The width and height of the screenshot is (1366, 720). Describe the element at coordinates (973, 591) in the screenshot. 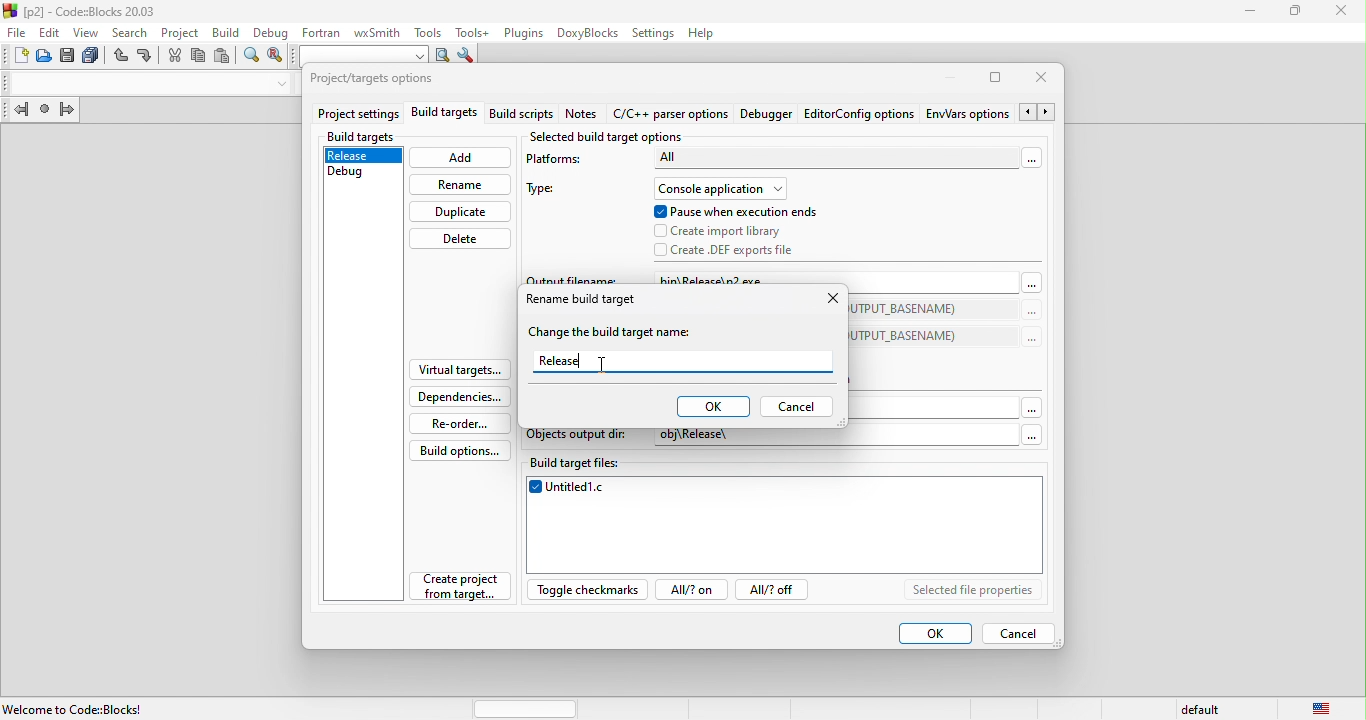

I see `selected file properties` at that location.